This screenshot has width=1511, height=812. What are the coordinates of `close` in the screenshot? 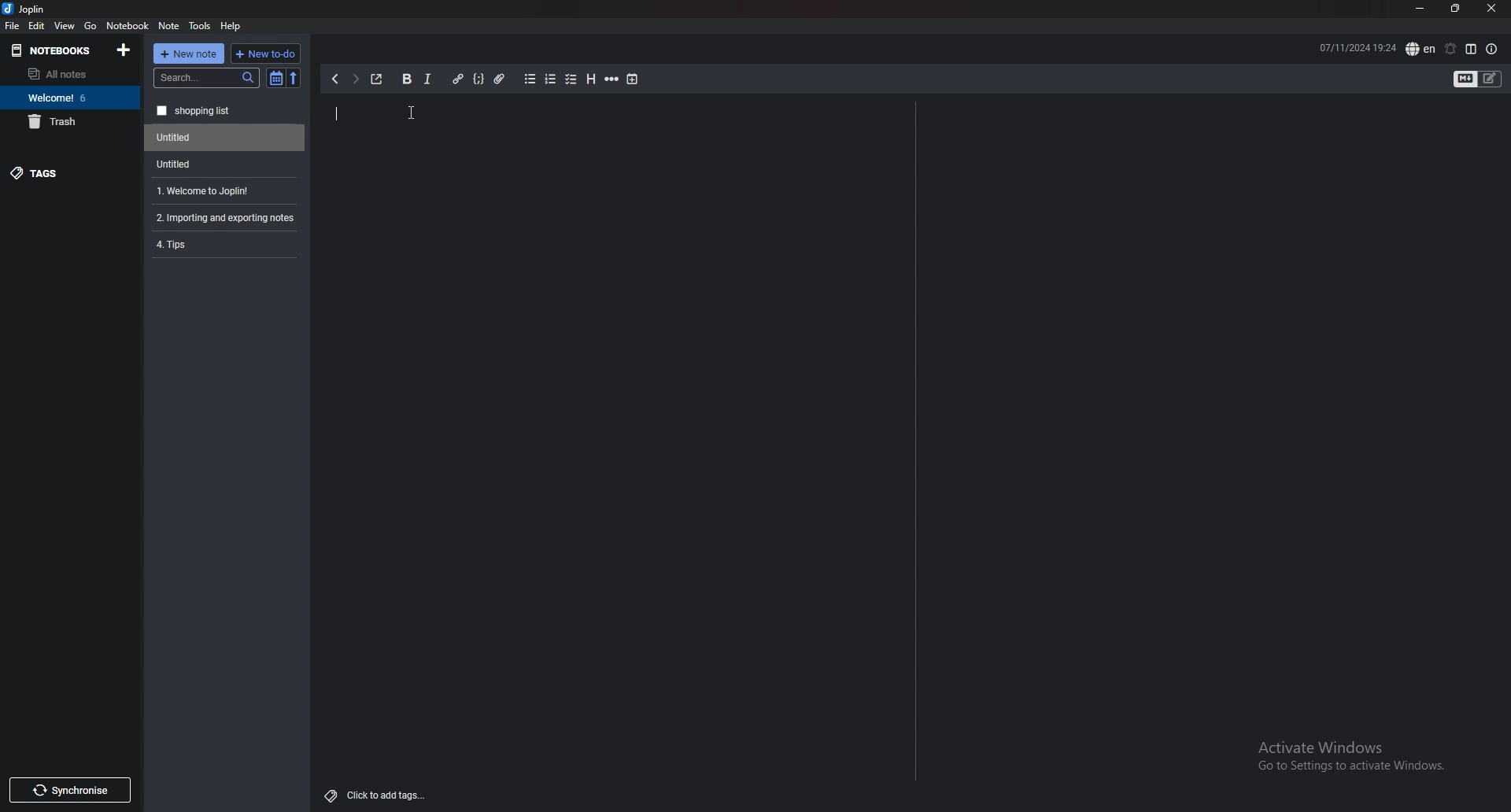 It's located at (1491, 9).